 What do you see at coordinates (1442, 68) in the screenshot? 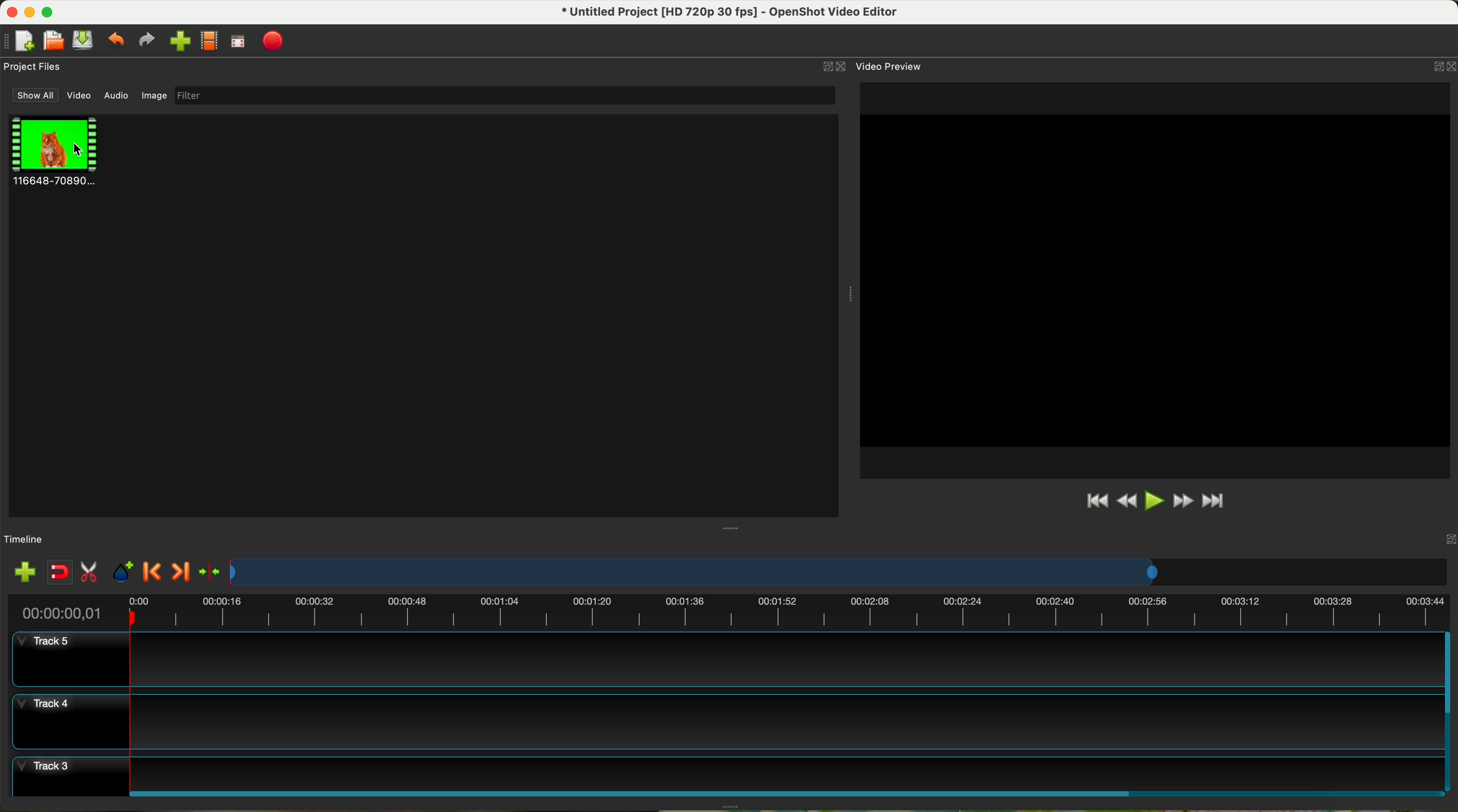
I see `close` at bounding box center [1442, 68].